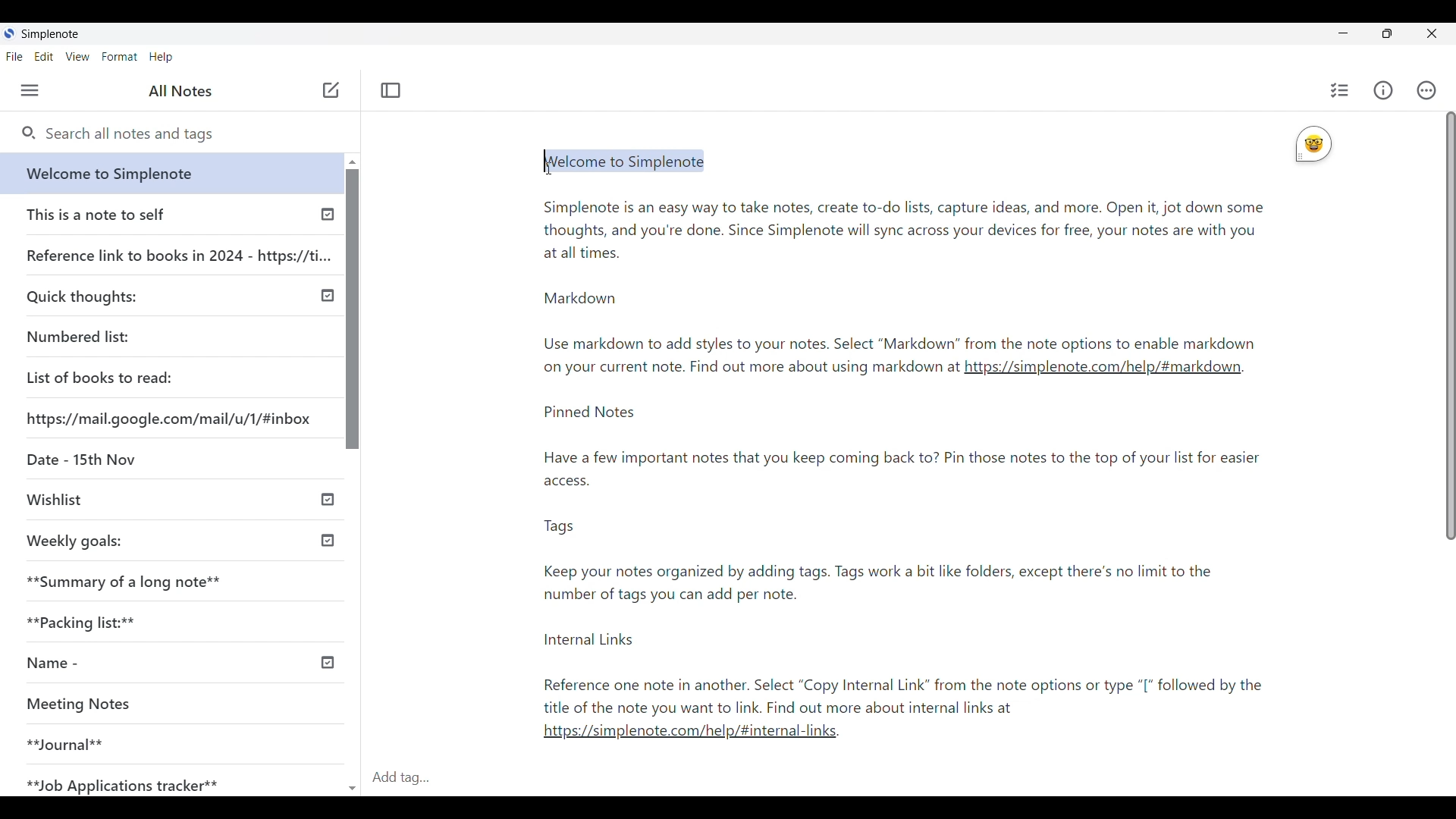 The height and width of the screenshot is (819, 1456). What do you see at coordinates (391, 90) in the screenshot?
I see `Toggle focus mode` at bounding box center [391, 90].